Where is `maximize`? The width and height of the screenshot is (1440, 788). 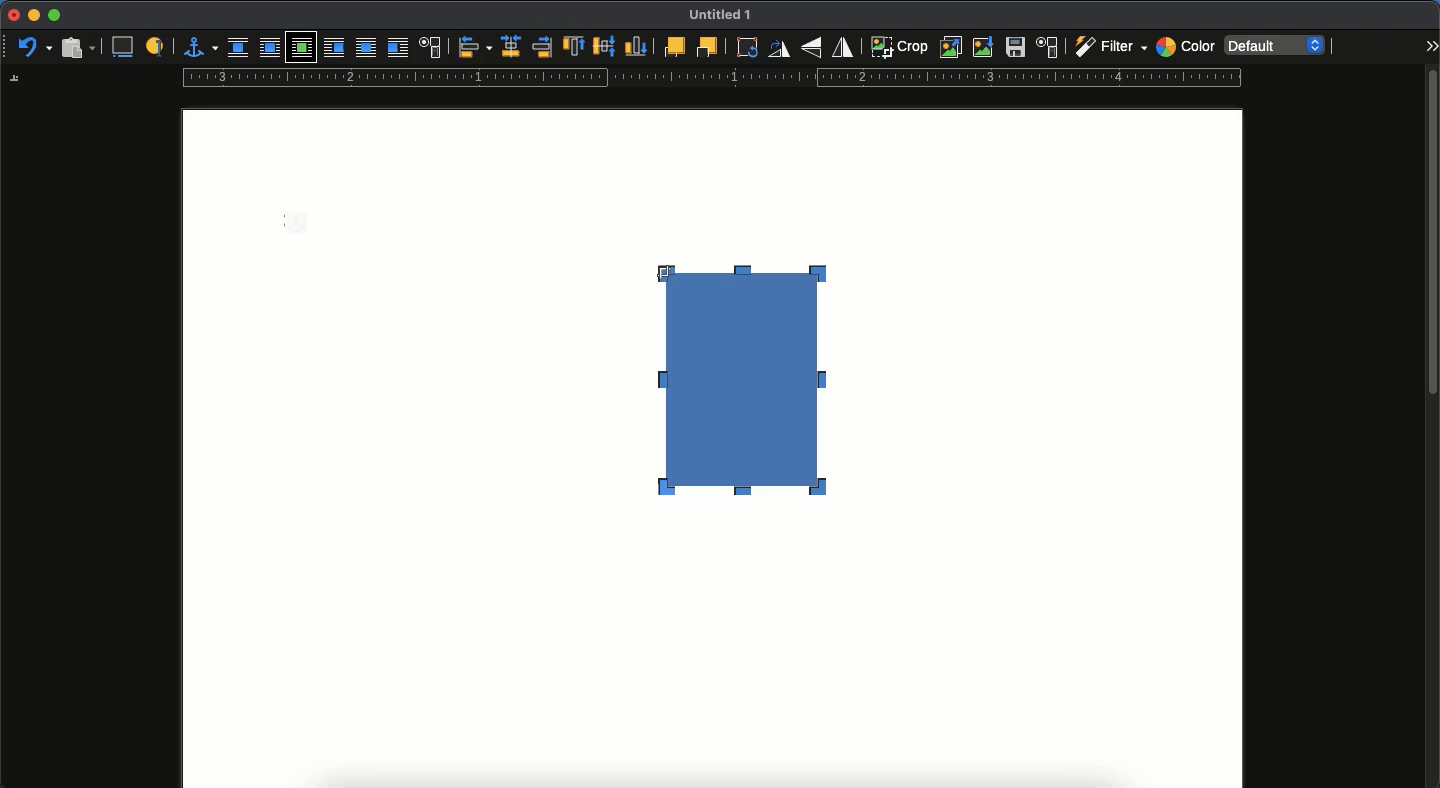
maximize is located at coordinates (54, 16).